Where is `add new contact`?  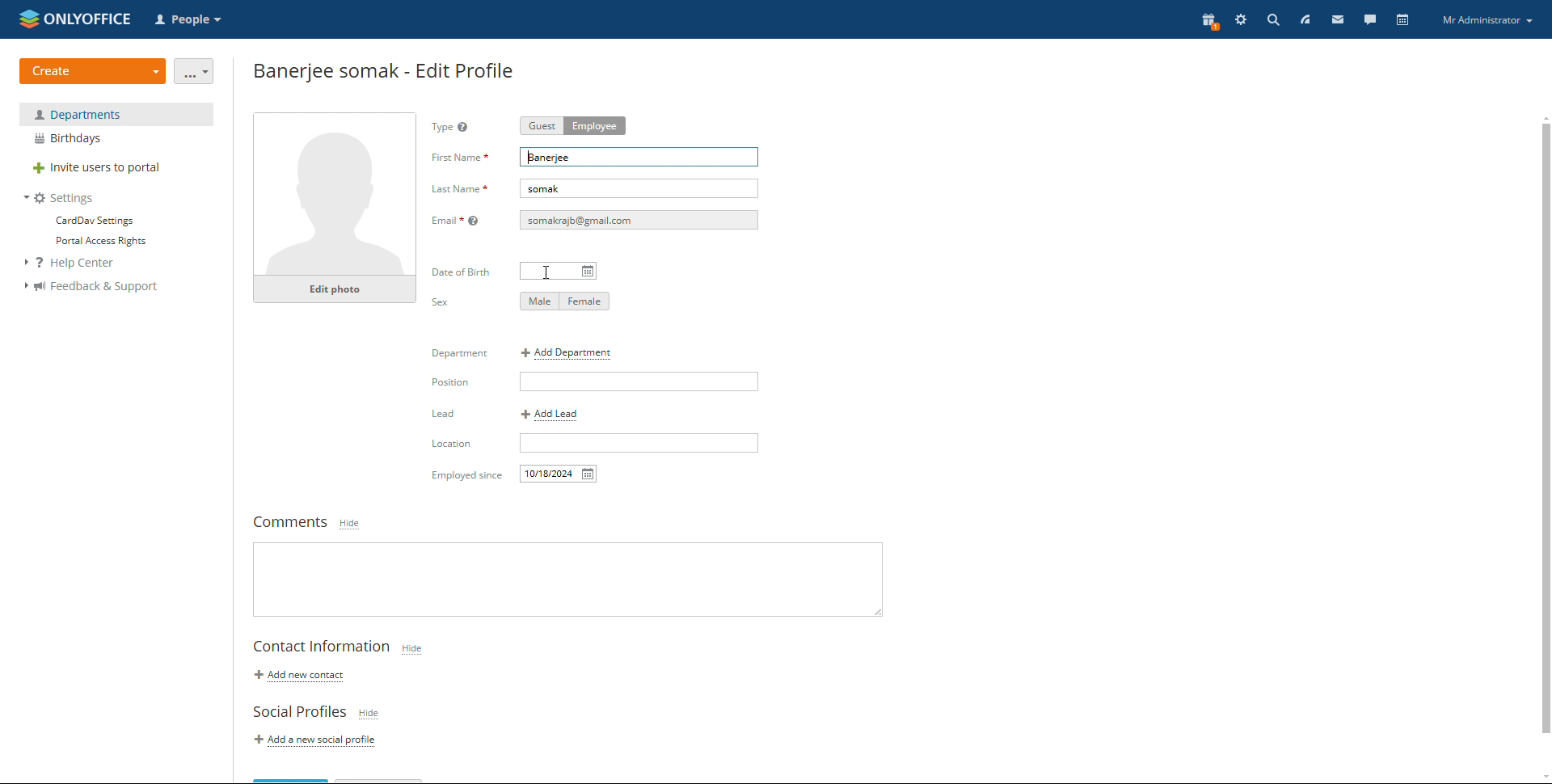 add new contact is located at coordinates (297, 676).